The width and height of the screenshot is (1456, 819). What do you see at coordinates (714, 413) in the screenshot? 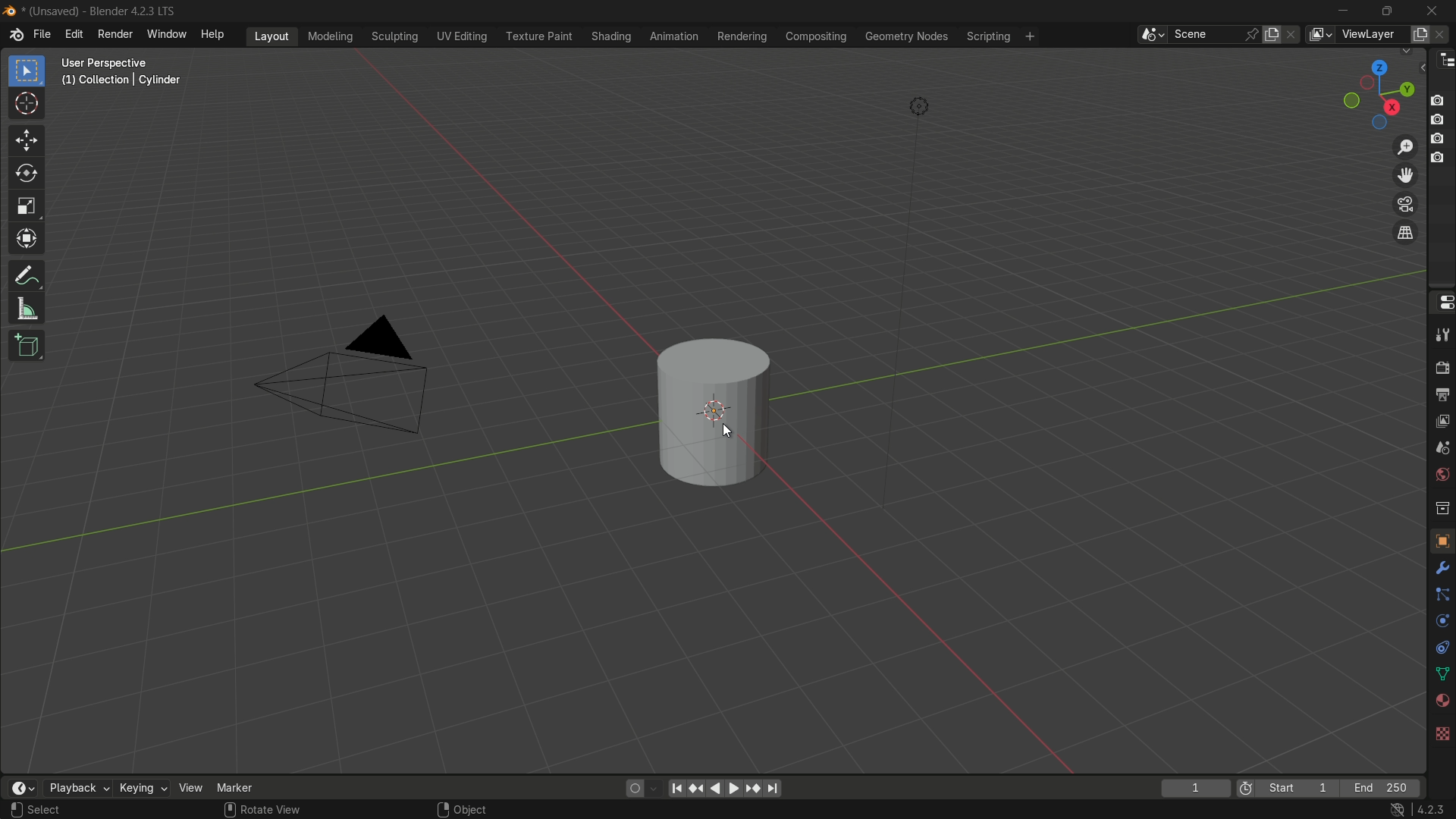
I see `Cylinder ` at bounding box center [714, 413].